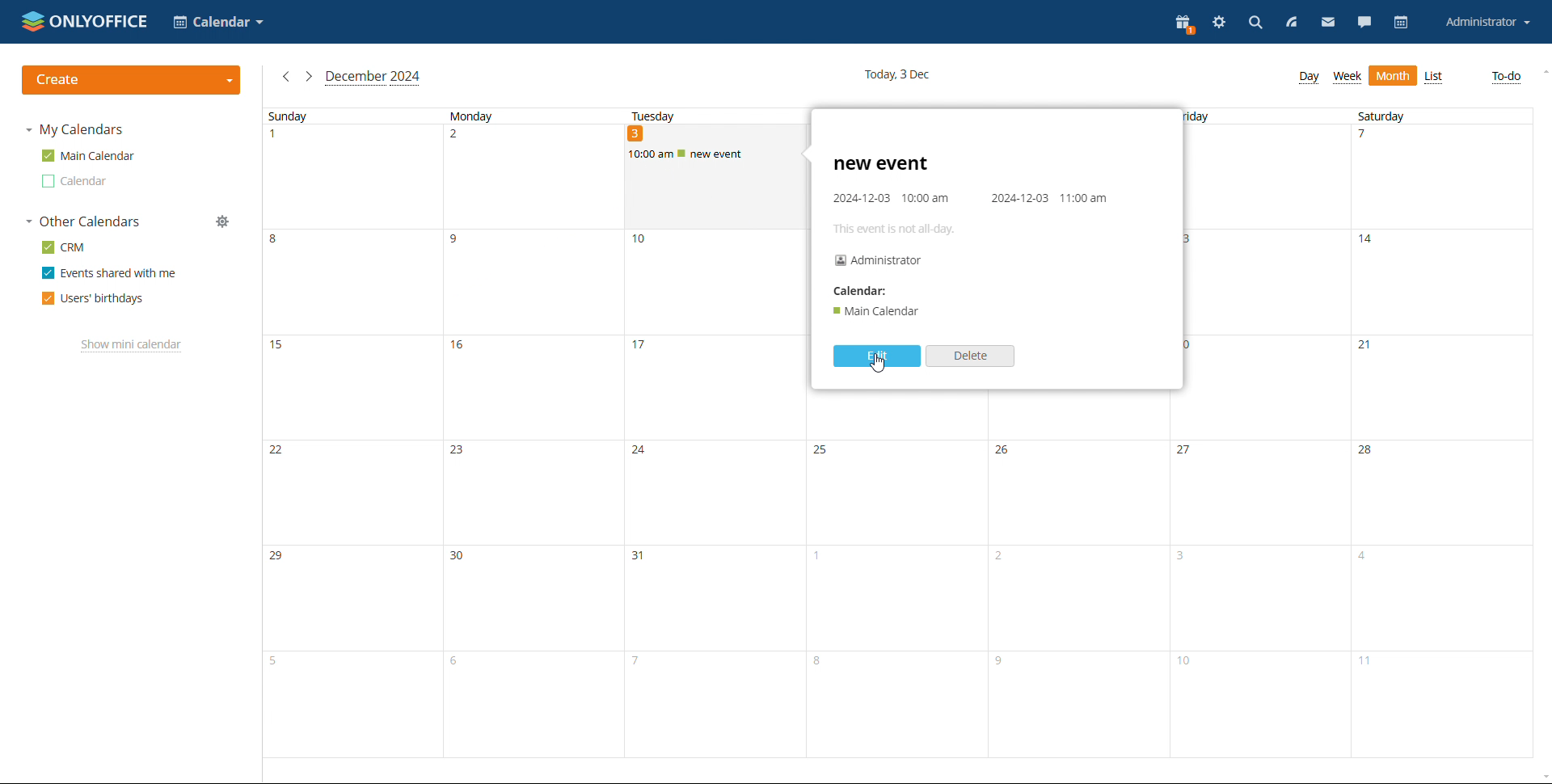  What do you see at coordinates (1488, 21) in the screenshot?
I see `account` at bounding box center [1488, 21].